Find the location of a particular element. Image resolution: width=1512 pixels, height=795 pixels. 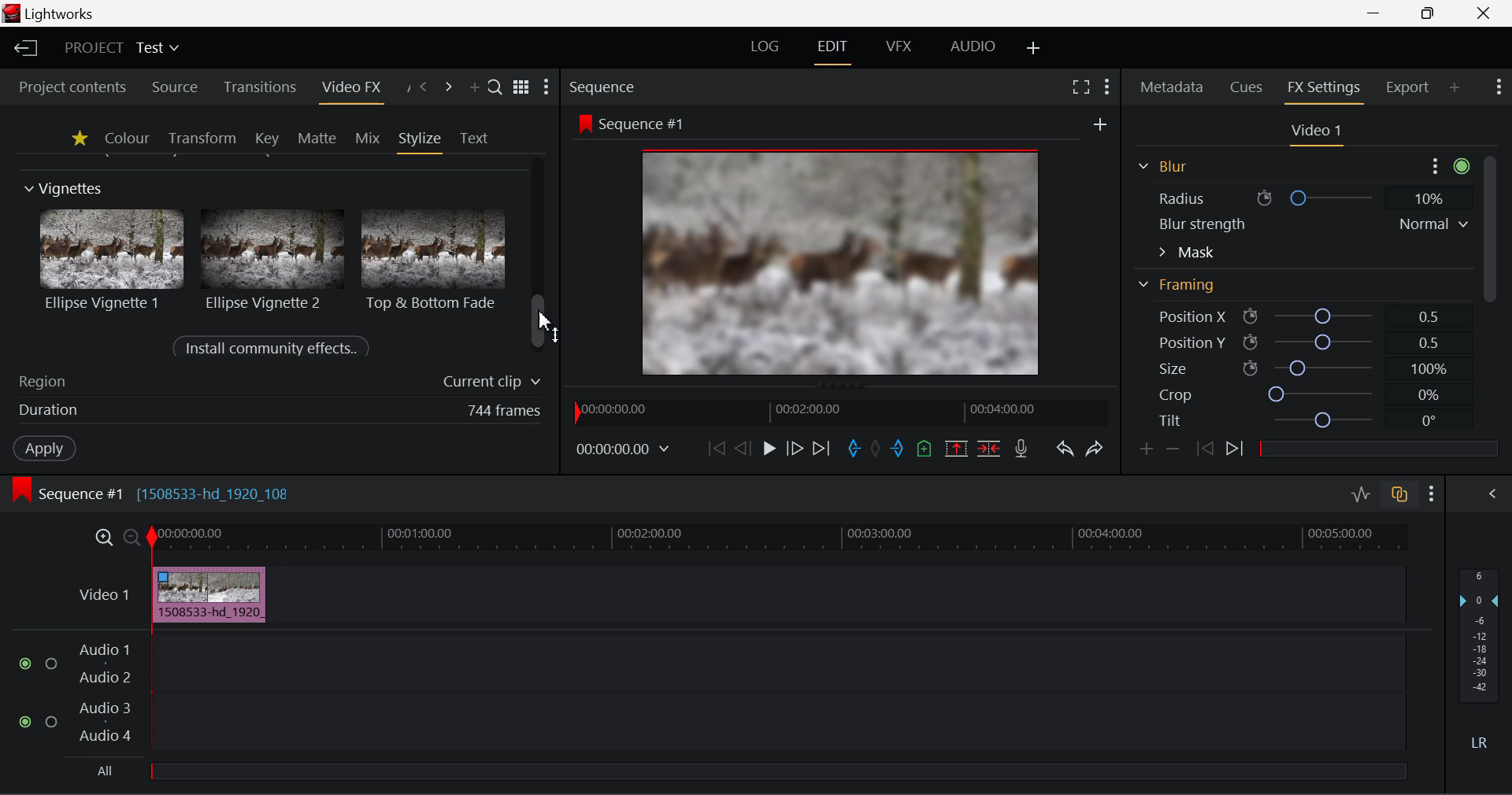

Position Y is located at coordinates (1296, 342).